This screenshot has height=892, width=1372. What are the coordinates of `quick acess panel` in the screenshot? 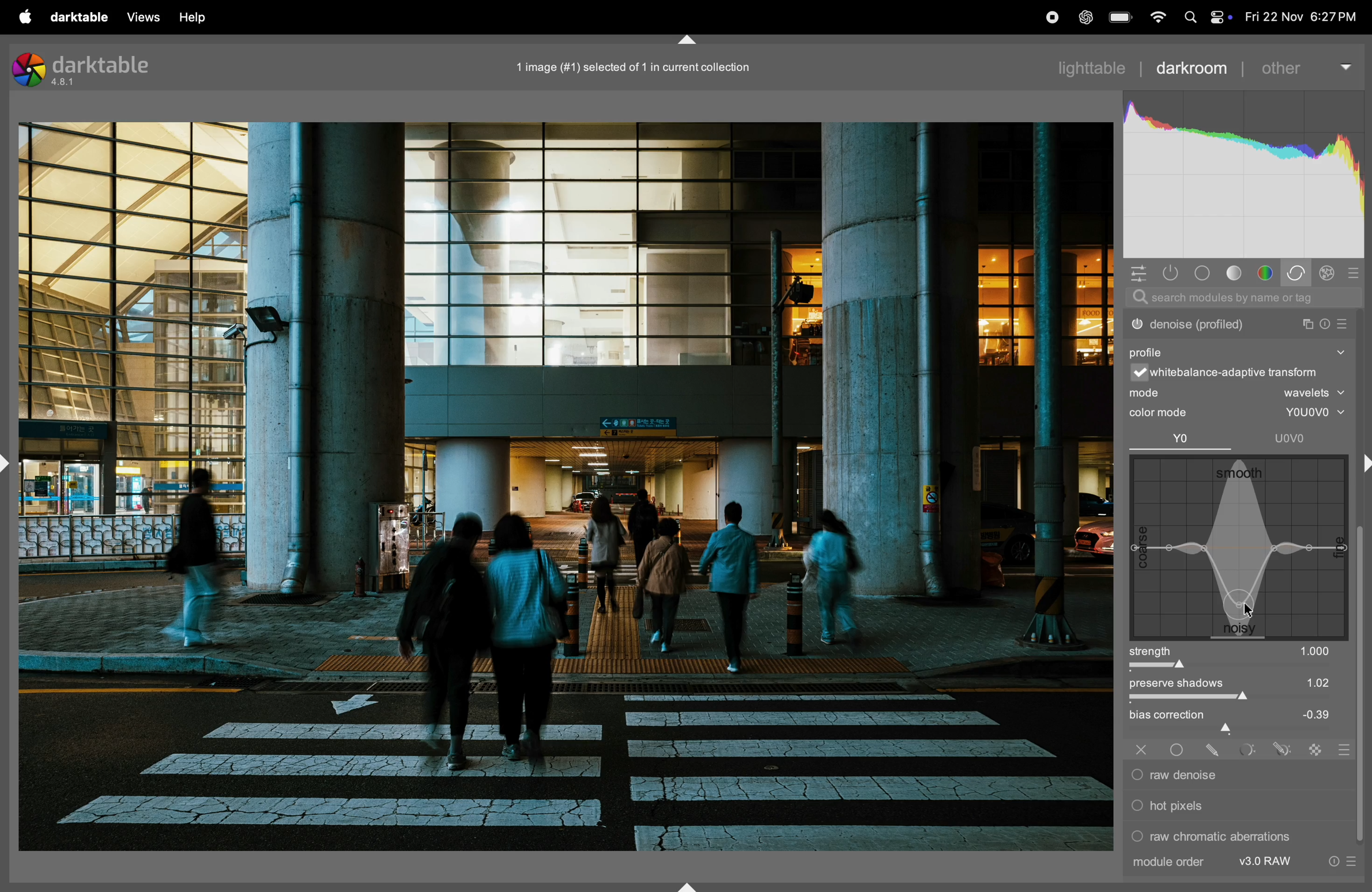 It's located at (1139, 274).